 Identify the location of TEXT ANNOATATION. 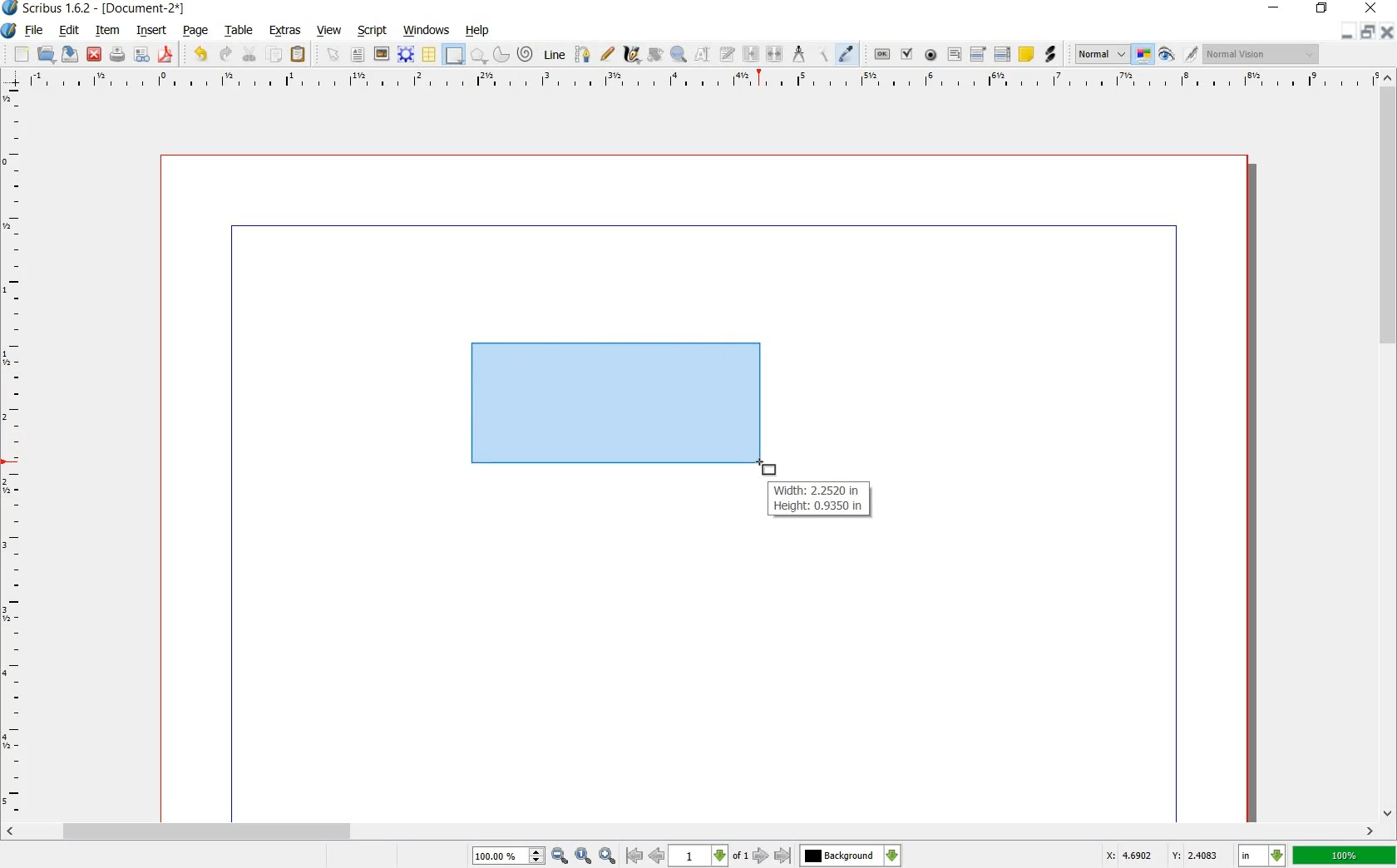
(1025, 55).